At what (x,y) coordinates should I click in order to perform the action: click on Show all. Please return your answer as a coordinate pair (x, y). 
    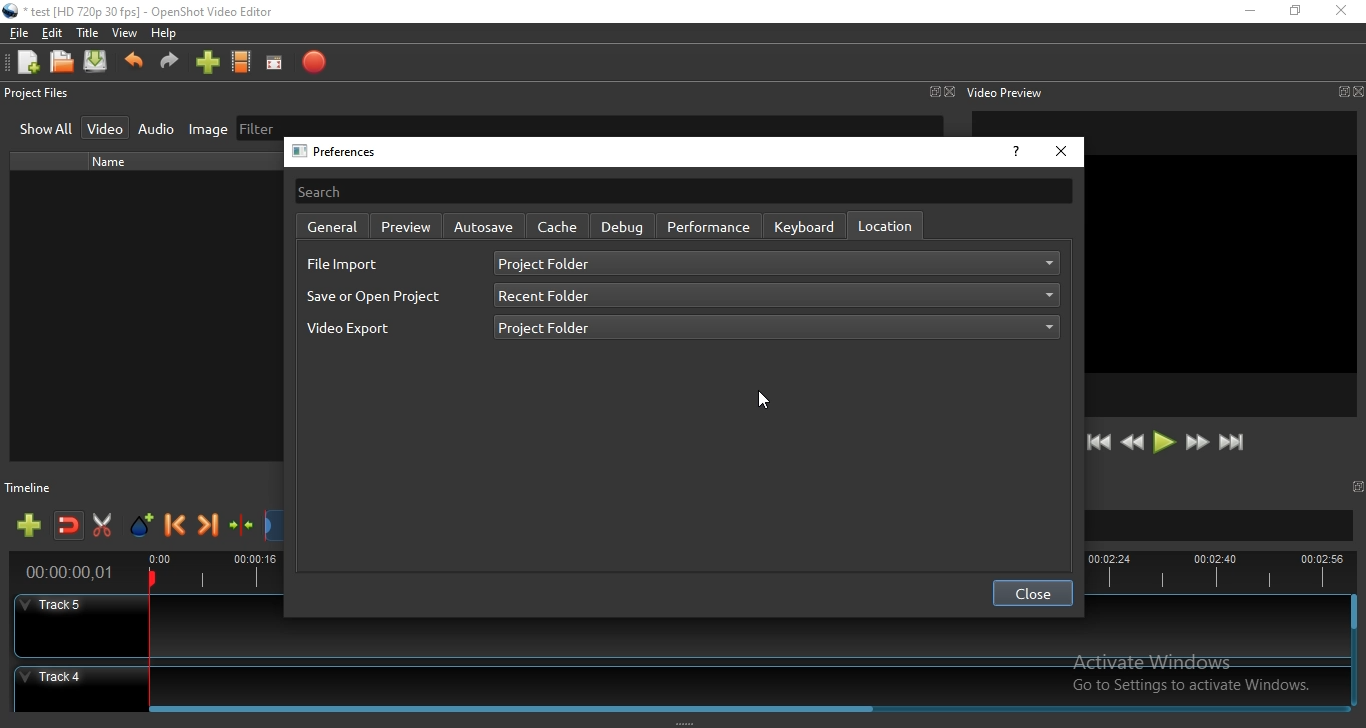
    Looking at the image, I should click on (46, 131).